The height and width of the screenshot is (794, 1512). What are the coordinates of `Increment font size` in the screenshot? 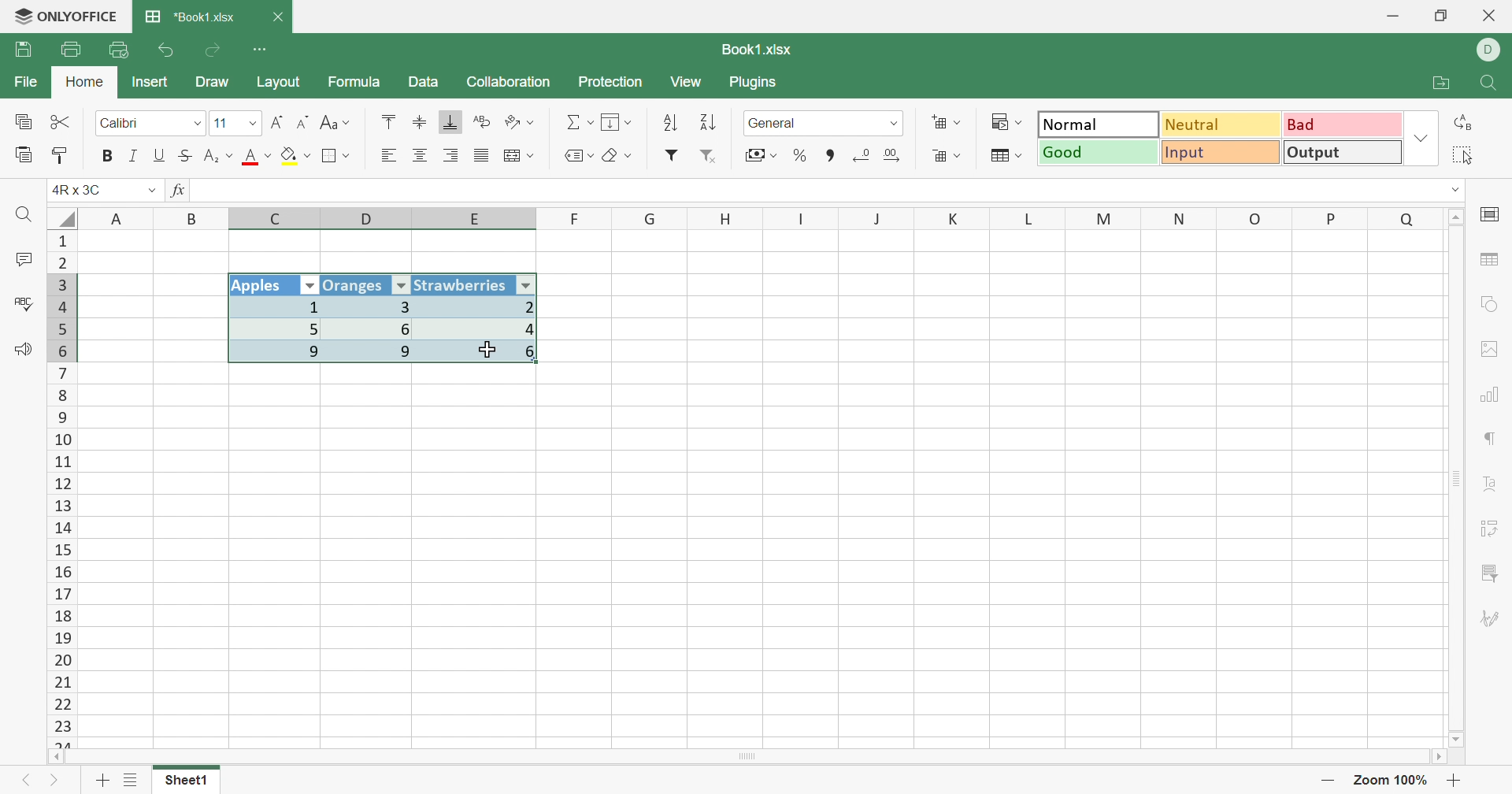 It's located at (276, 122).